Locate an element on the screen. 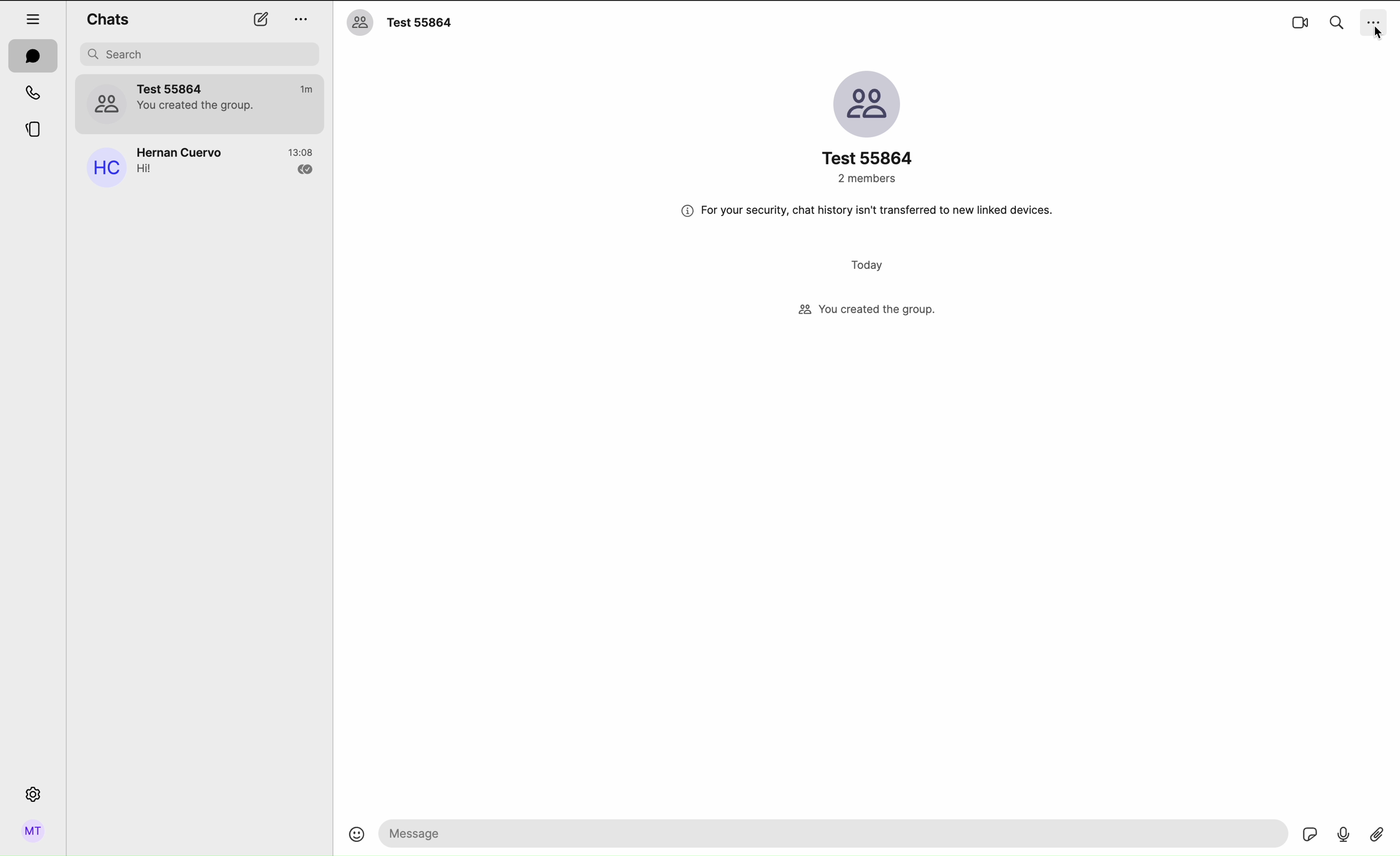  videocall is located at coordinates (1300, 19).